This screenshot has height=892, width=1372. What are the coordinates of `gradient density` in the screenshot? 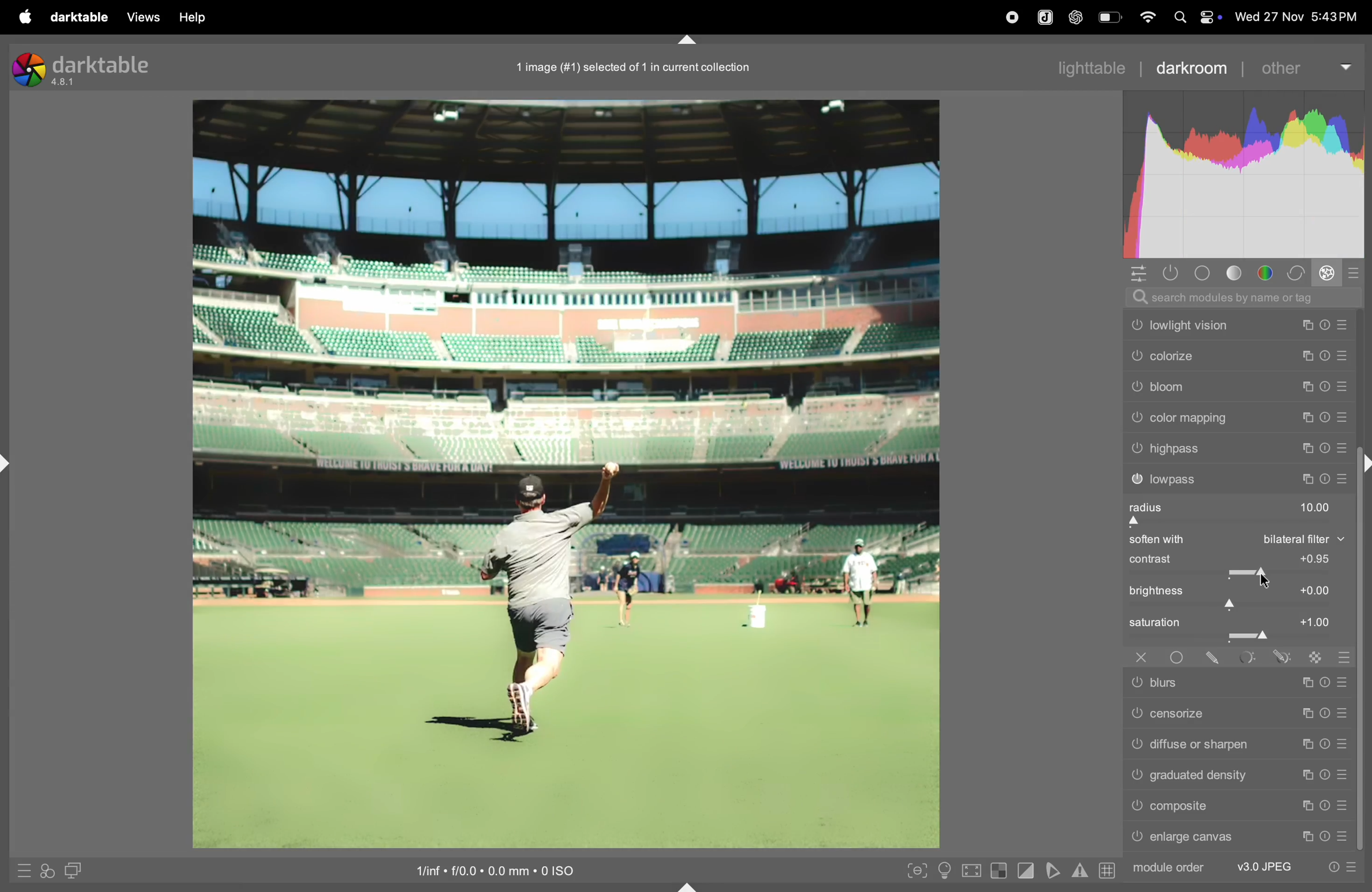 It's located at (1238, 774).